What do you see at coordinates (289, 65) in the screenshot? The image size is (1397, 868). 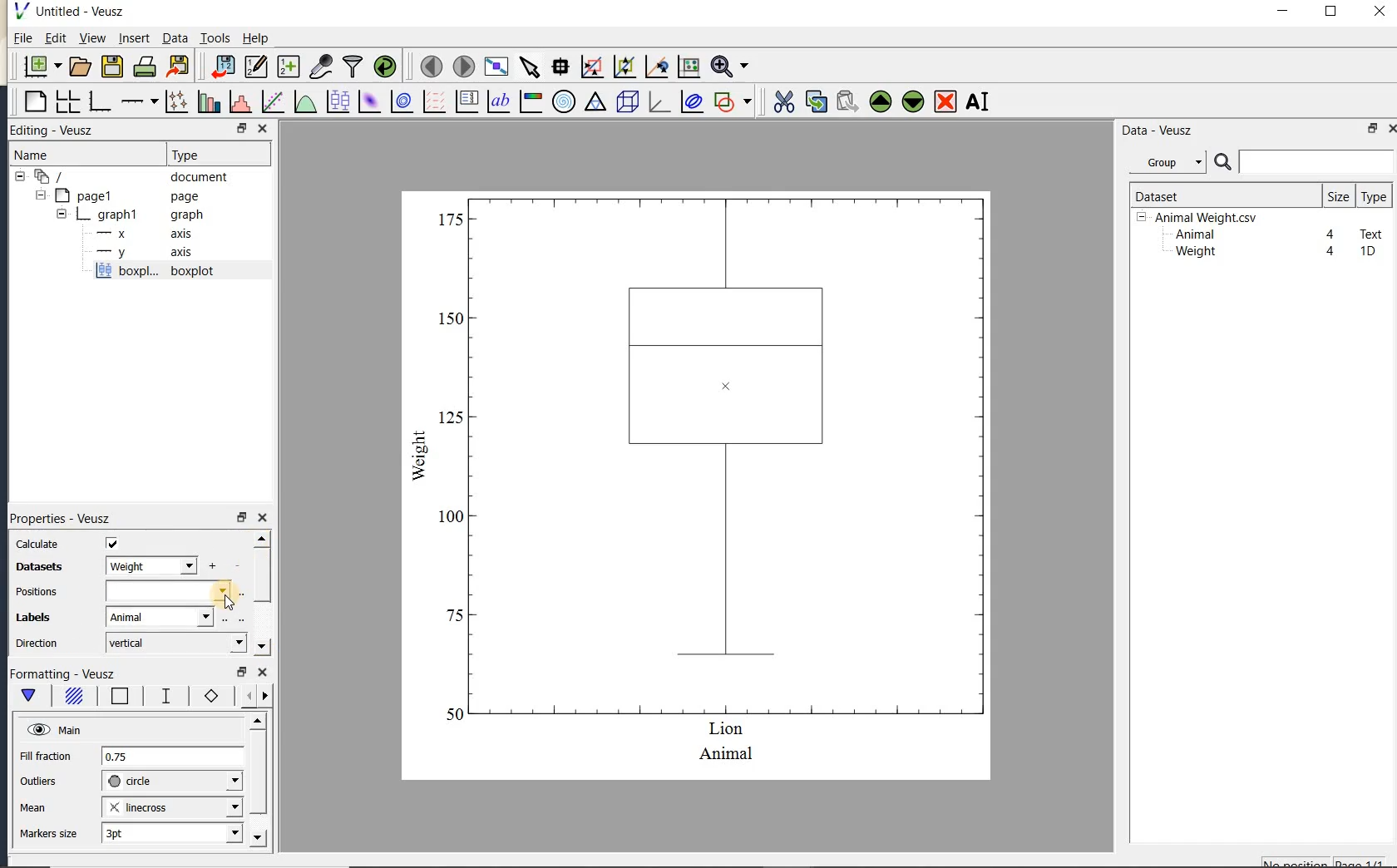 I see `create new datasets` at bounding box center [289, 65].